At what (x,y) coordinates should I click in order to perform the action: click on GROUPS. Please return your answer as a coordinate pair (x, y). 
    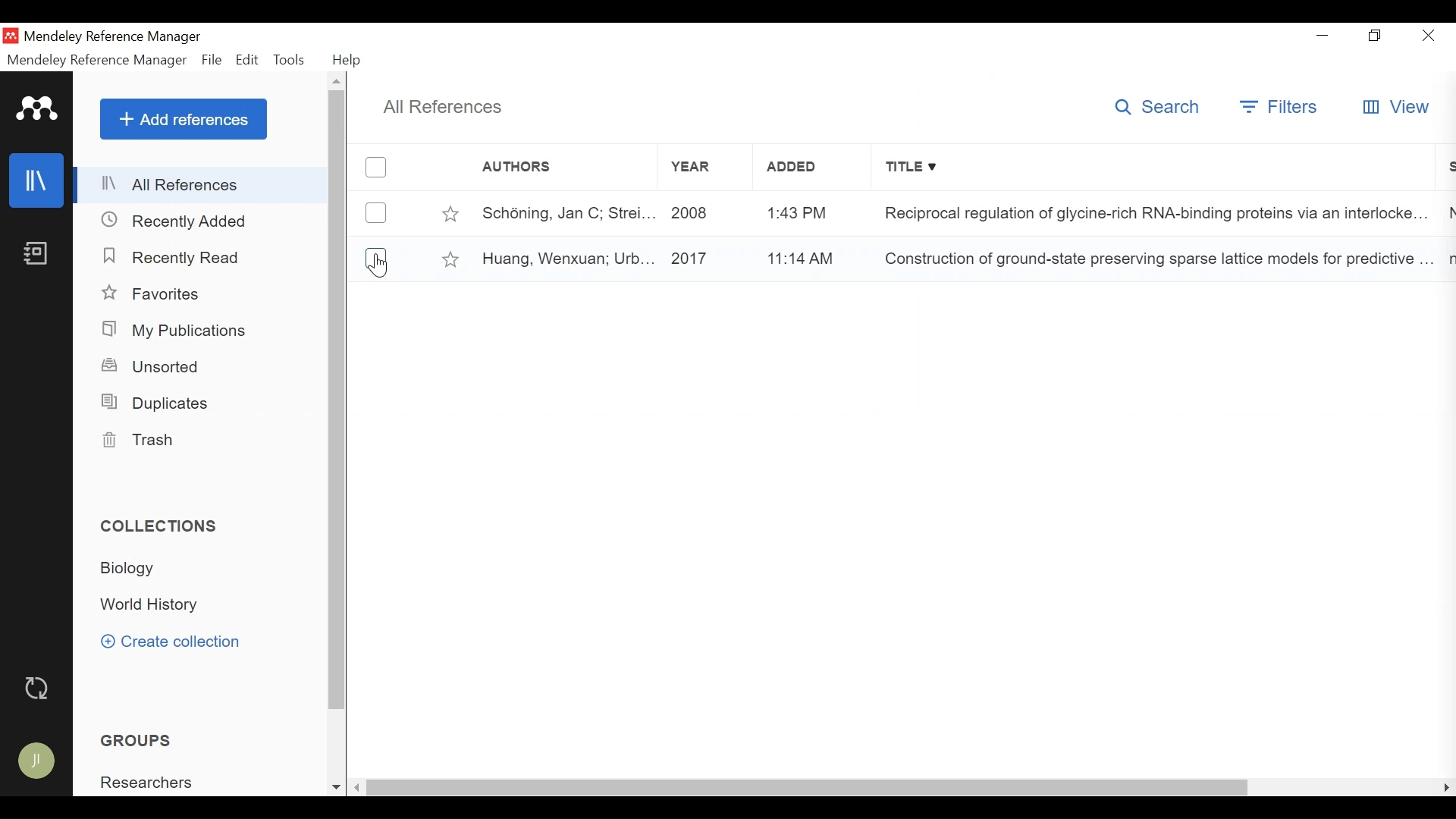
    Looking at the image, I should click on (144, 741).